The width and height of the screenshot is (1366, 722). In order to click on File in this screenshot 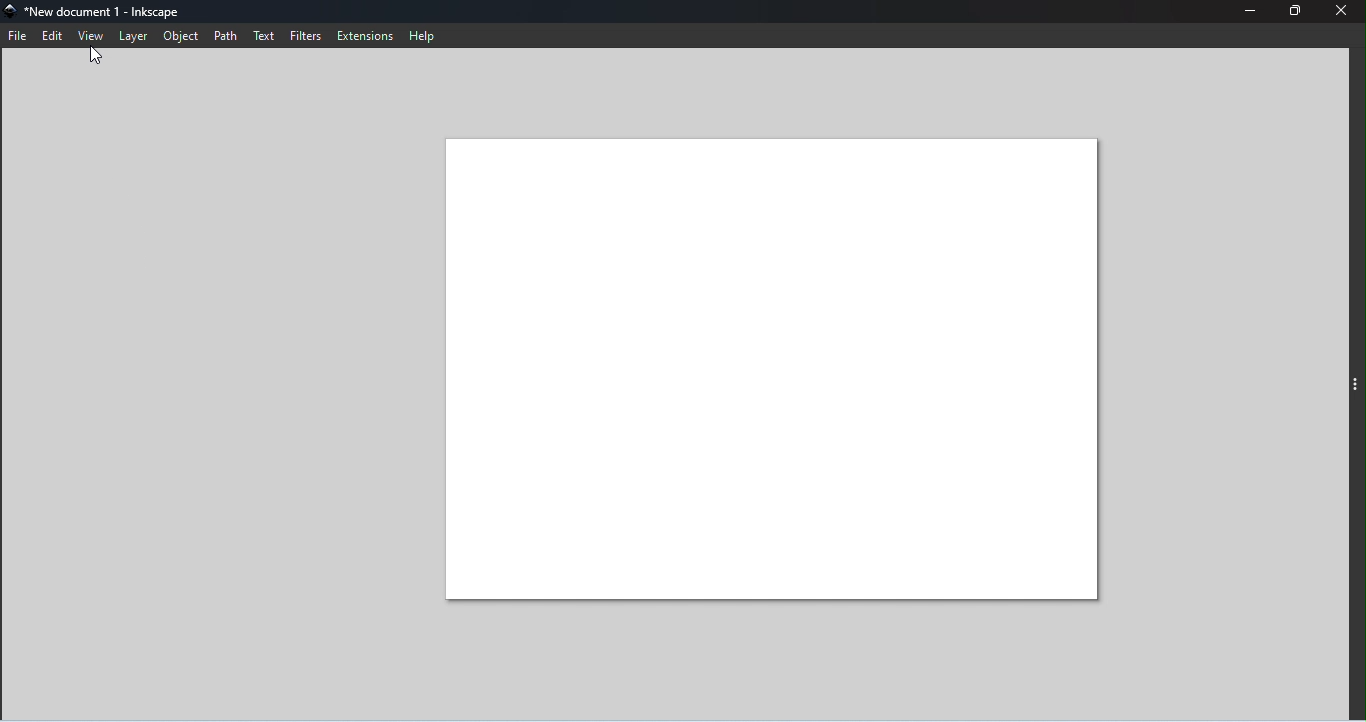, I will do `click(19, 37)`.